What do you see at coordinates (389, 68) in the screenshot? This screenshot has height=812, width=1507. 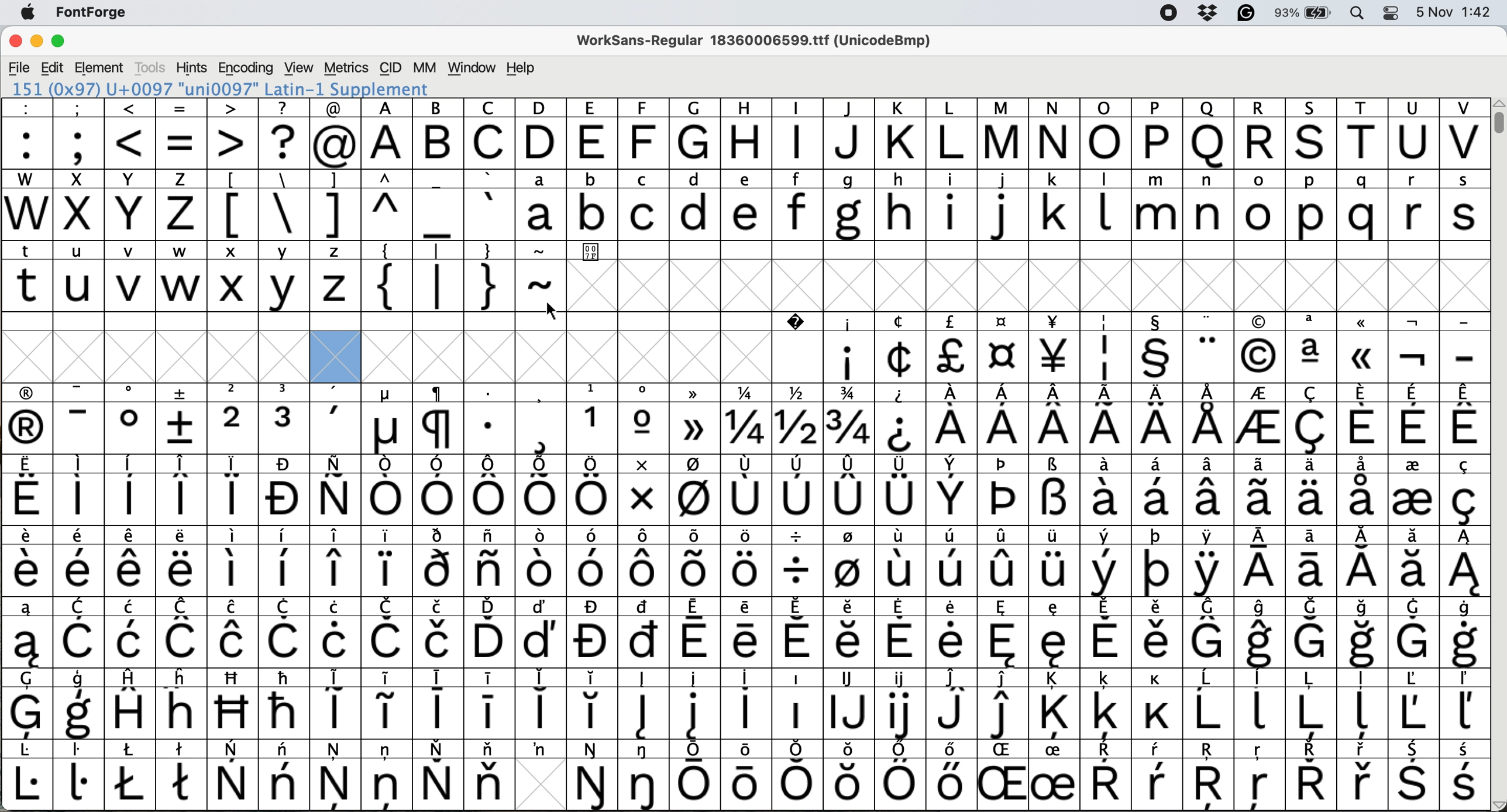 I see `cid` at bounding box center [389, 68].